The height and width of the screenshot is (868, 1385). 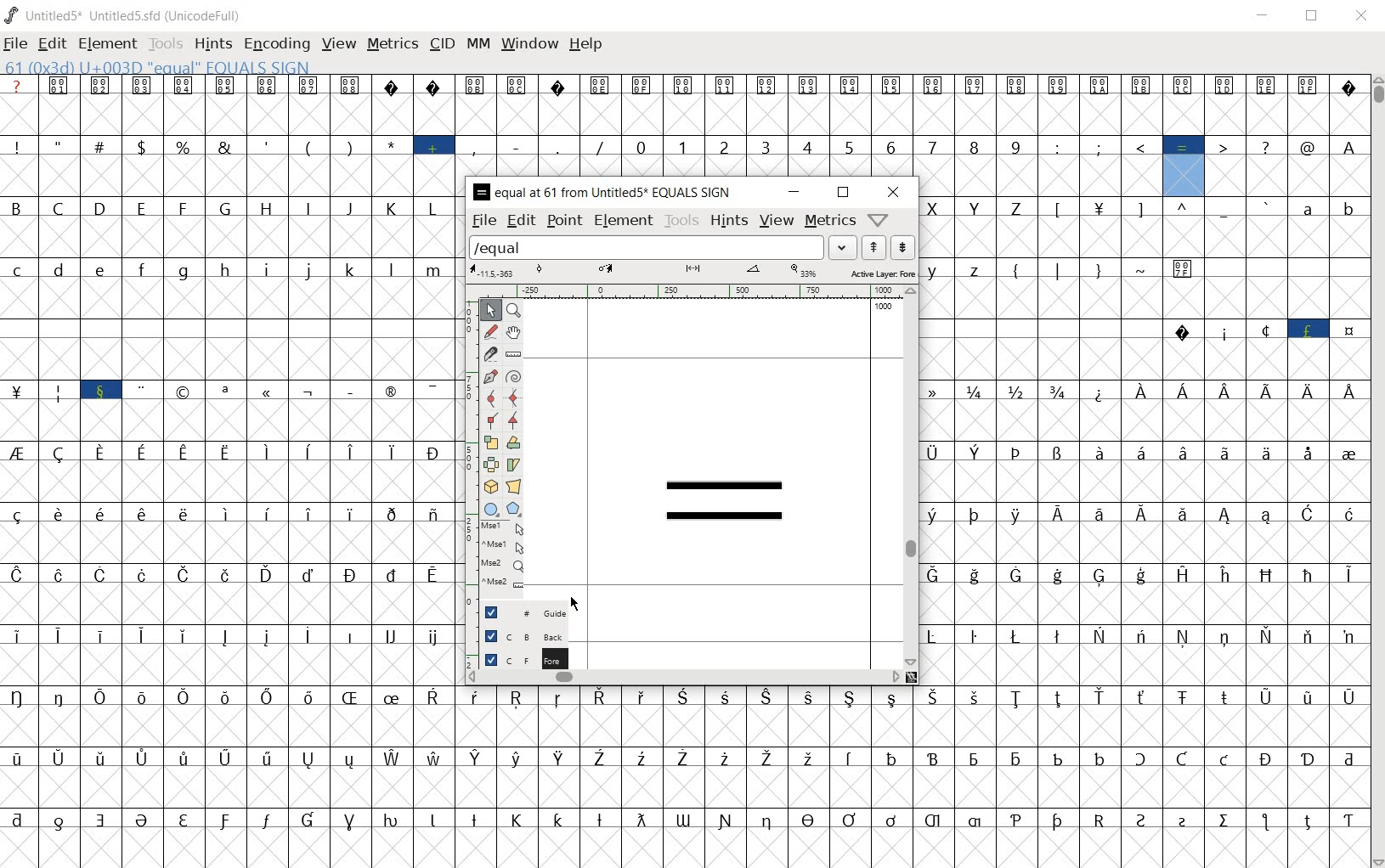 I want to click on scrollbar, so click(x=1377, y=471).